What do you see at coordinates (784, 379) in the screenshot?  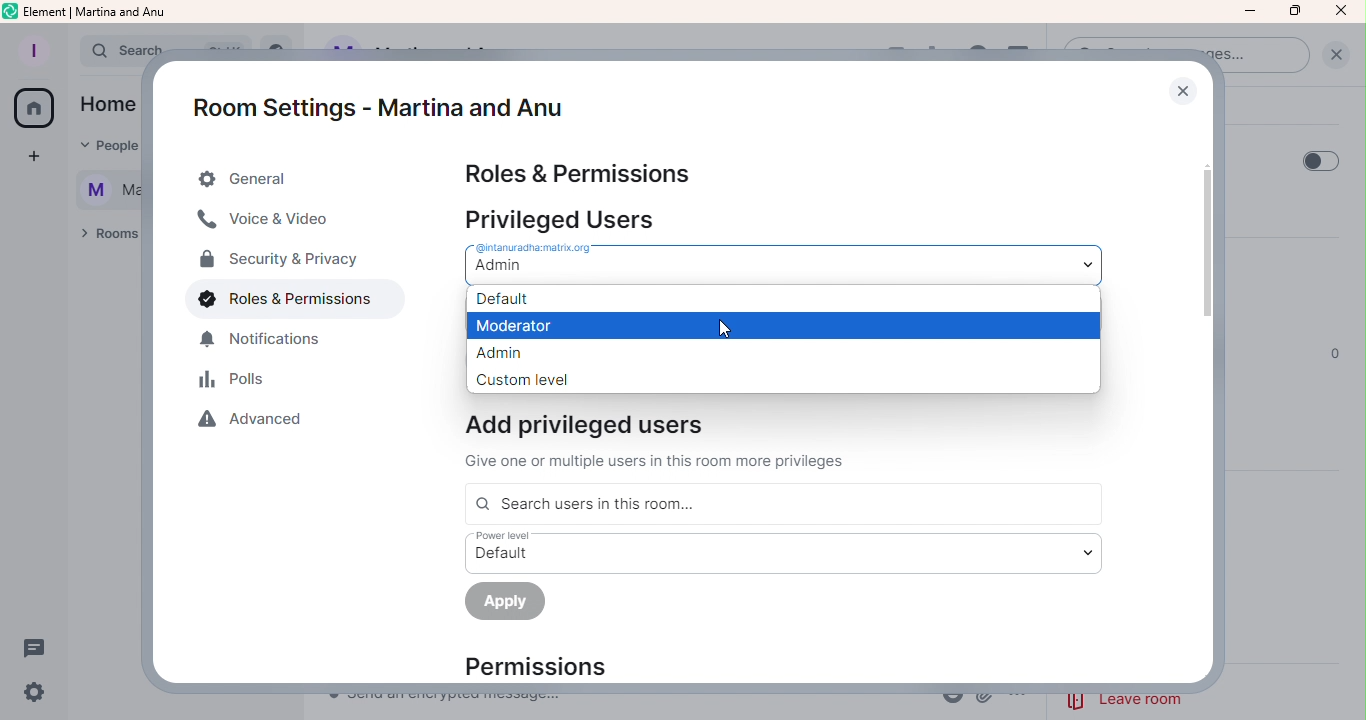 I see `Custom level` at bounding box center [784, 379].